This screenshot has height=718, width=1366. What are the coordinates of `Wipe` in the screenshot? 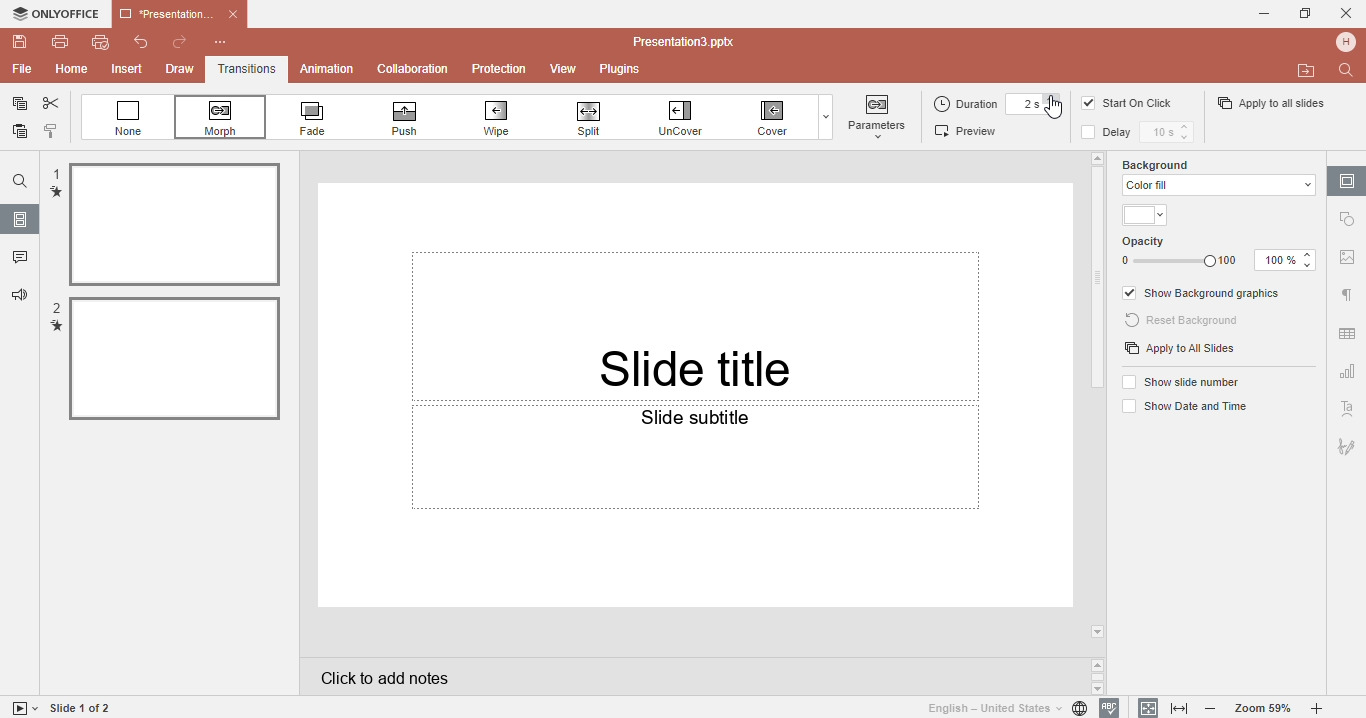 It's located at (508, 117).